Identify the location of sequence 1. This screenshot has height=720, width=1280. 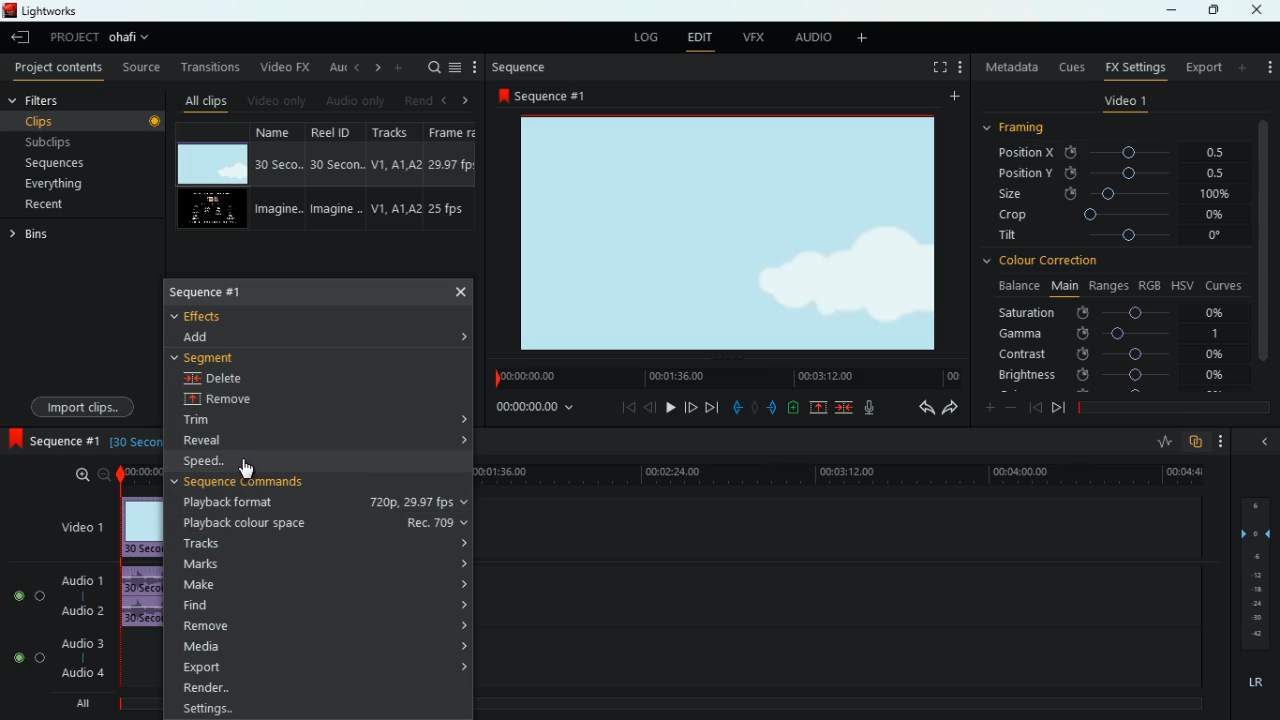
(248, 292).